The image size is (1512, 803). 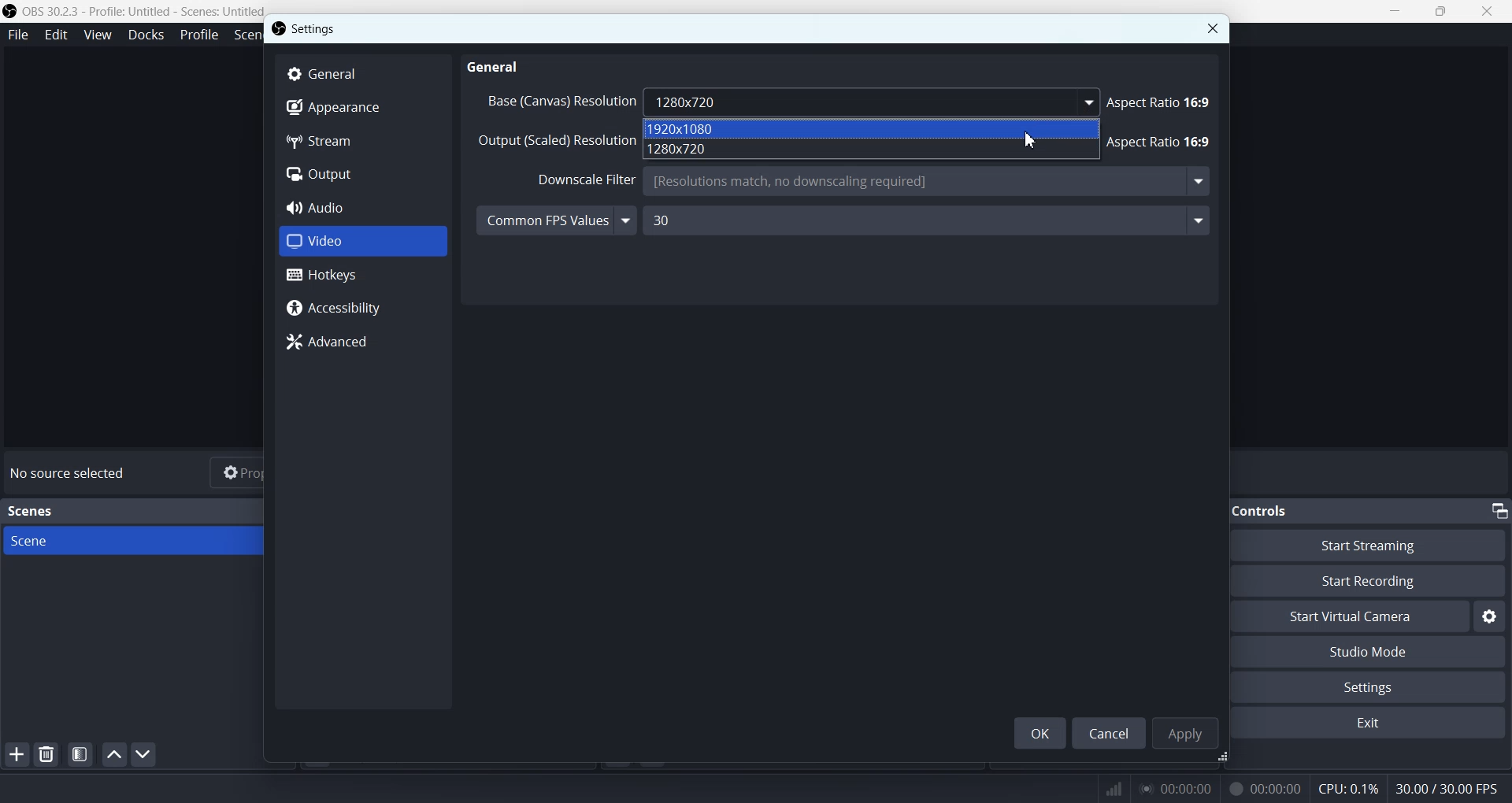 What do you see at coordinates (33, 511) in the screenshot?
I see `Text` at bounding box center [33, 511].